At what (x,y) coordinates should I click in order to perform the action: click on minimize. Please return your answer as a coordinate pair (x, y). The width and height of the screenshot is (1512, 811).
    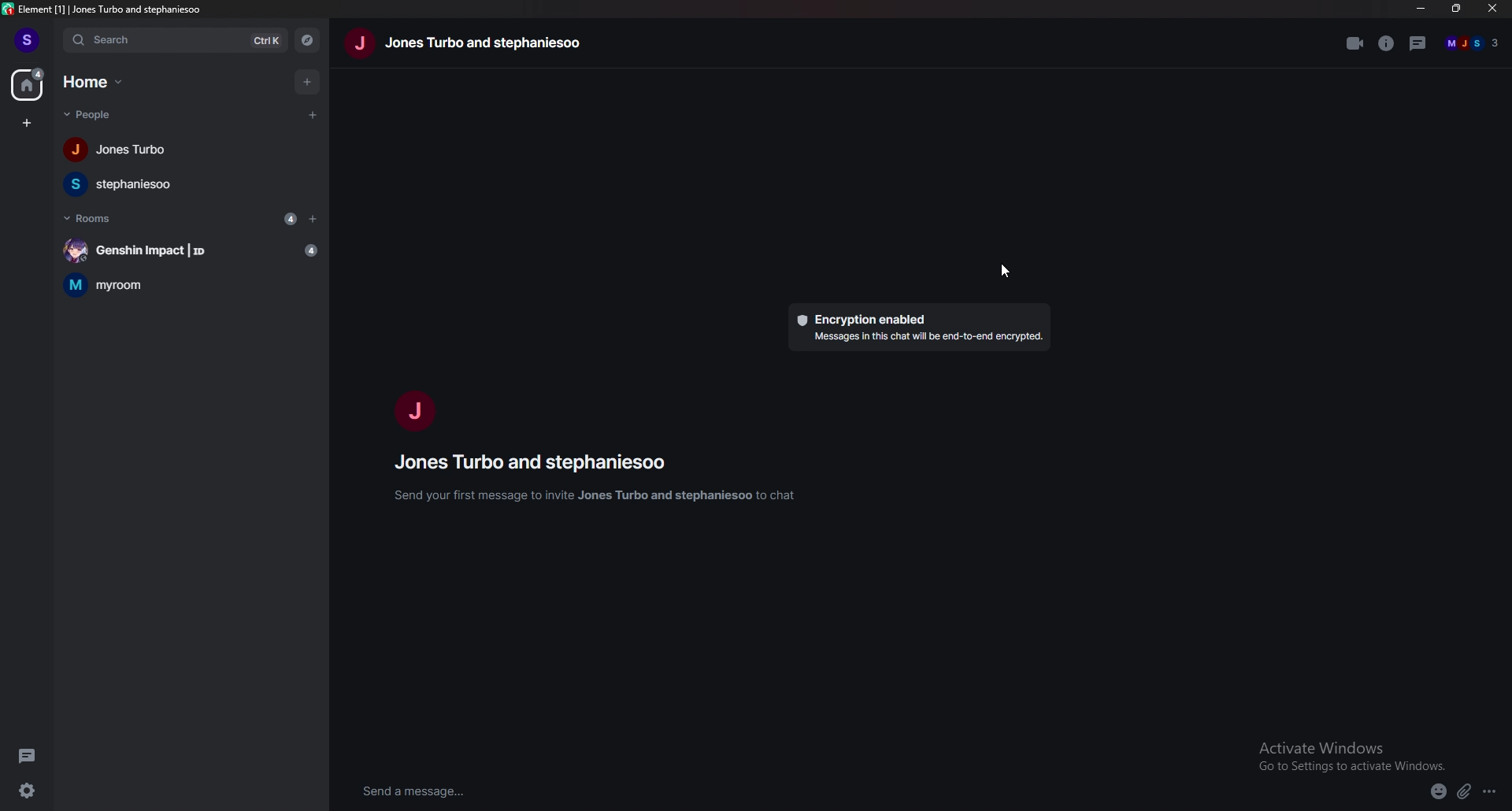
    Looking at the image, I should click on (1422, 8).